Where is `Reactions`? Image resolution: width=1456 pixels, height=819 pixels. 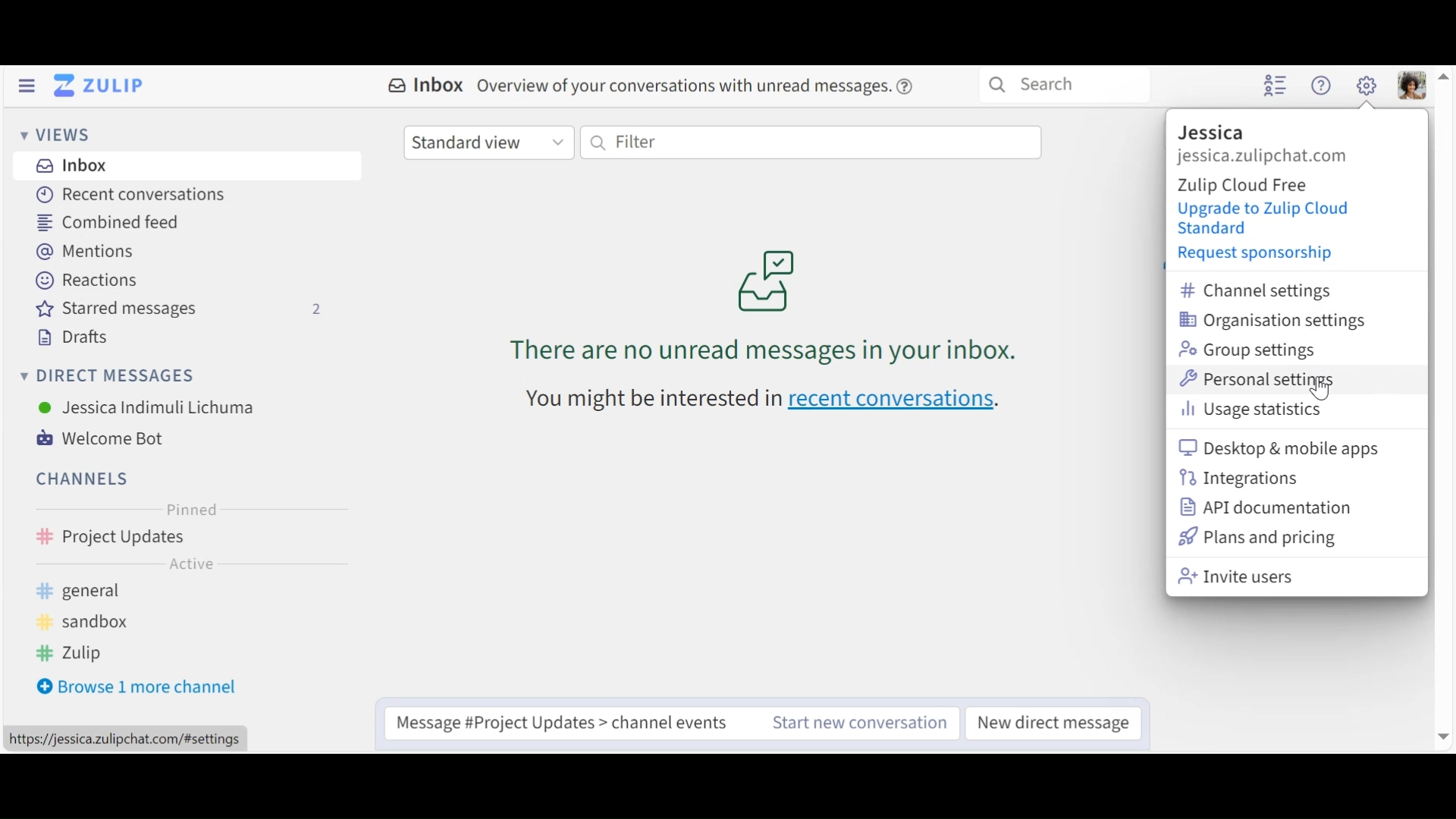 Reactions is located at coordinates (86, 281).